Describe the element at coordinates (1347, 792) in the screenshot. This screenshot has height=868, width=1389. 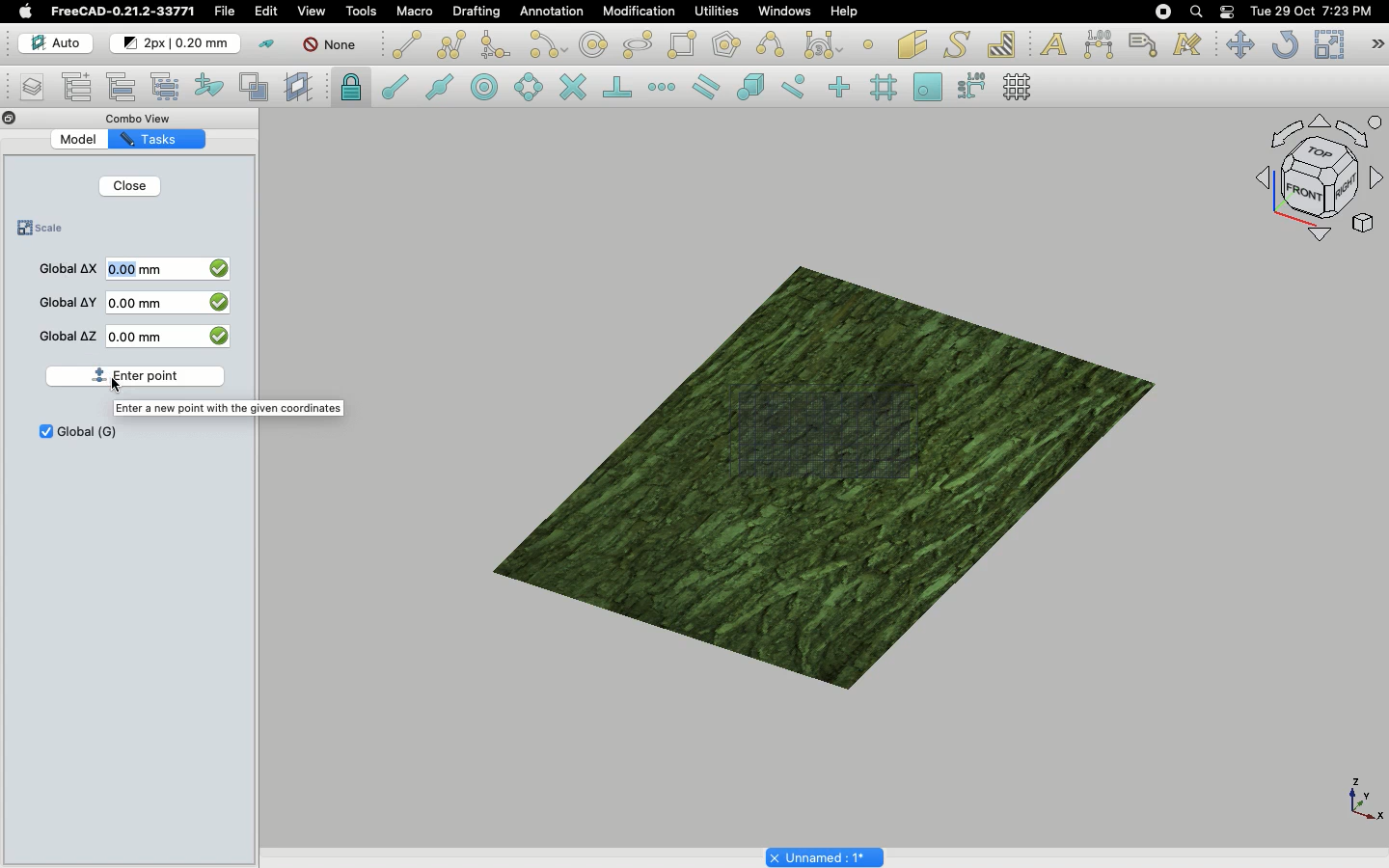
I see `visual` at that location.